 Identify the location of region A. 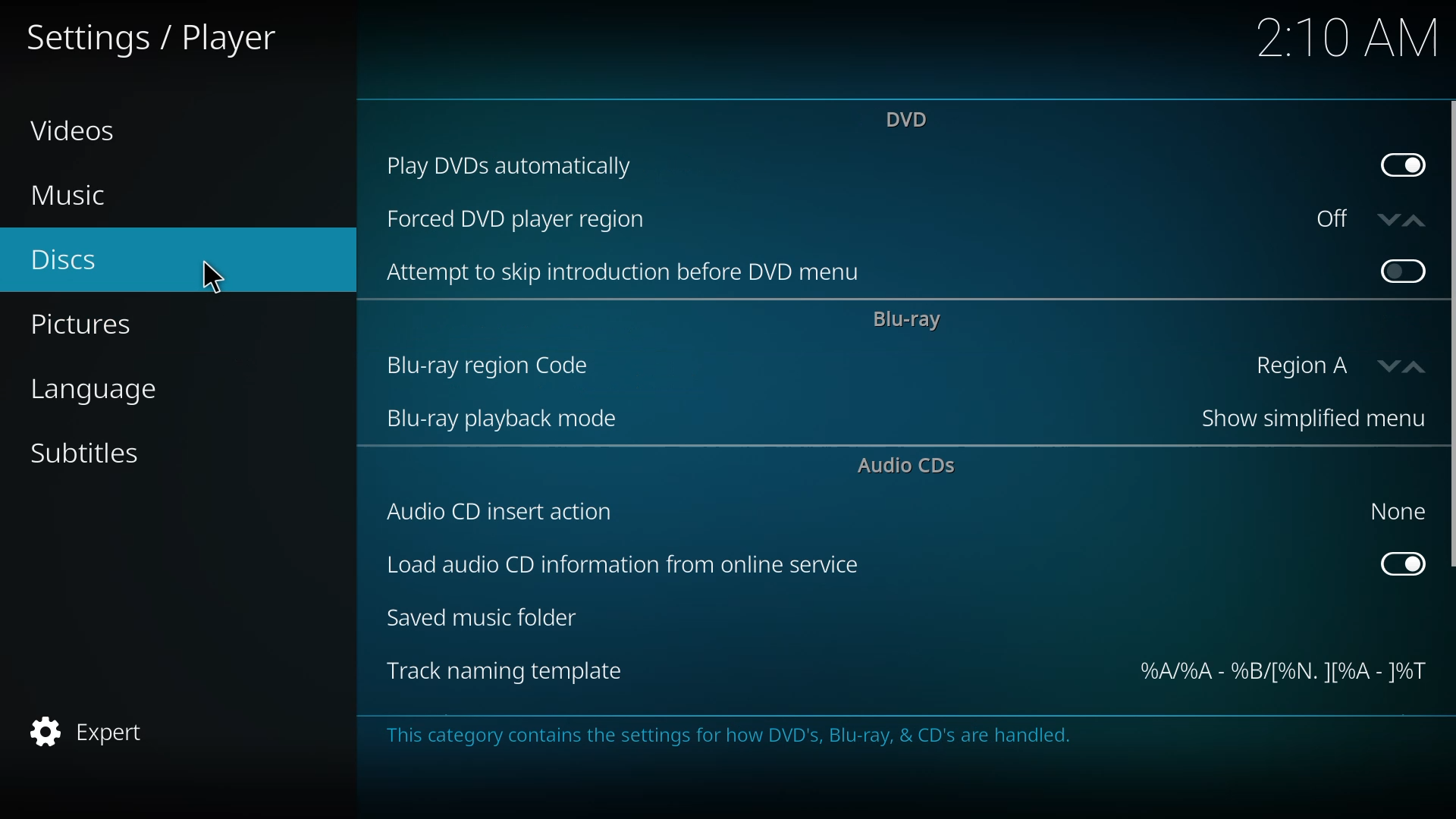
(1327, 362).